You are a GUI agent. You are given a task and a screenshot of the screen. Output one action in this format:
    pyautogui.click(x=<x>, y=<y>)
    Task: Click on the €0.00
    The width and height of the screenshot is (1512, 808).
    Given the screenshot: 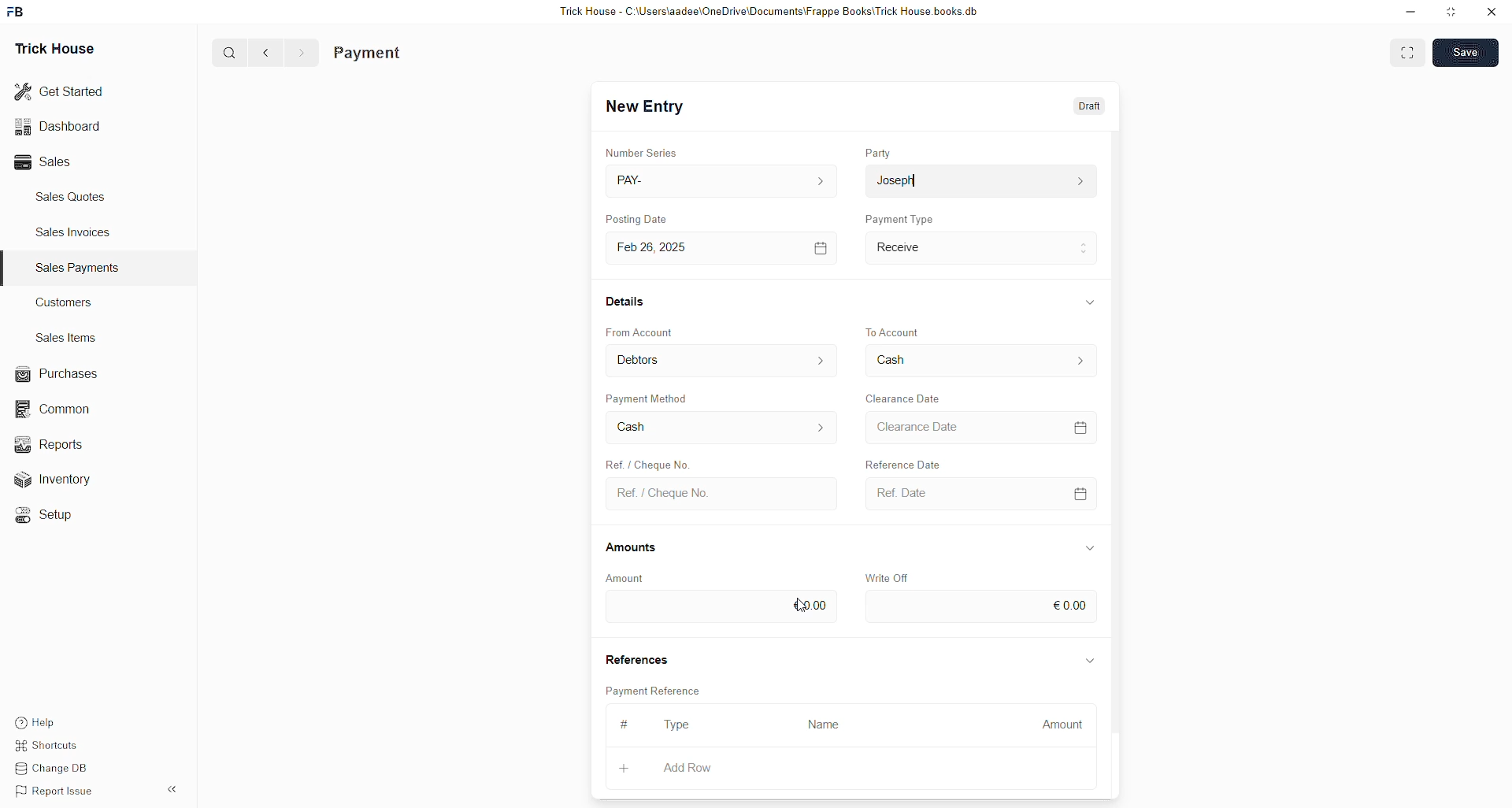 What is the action you would take?
    pyautogui.click(x=982, y=606)
    